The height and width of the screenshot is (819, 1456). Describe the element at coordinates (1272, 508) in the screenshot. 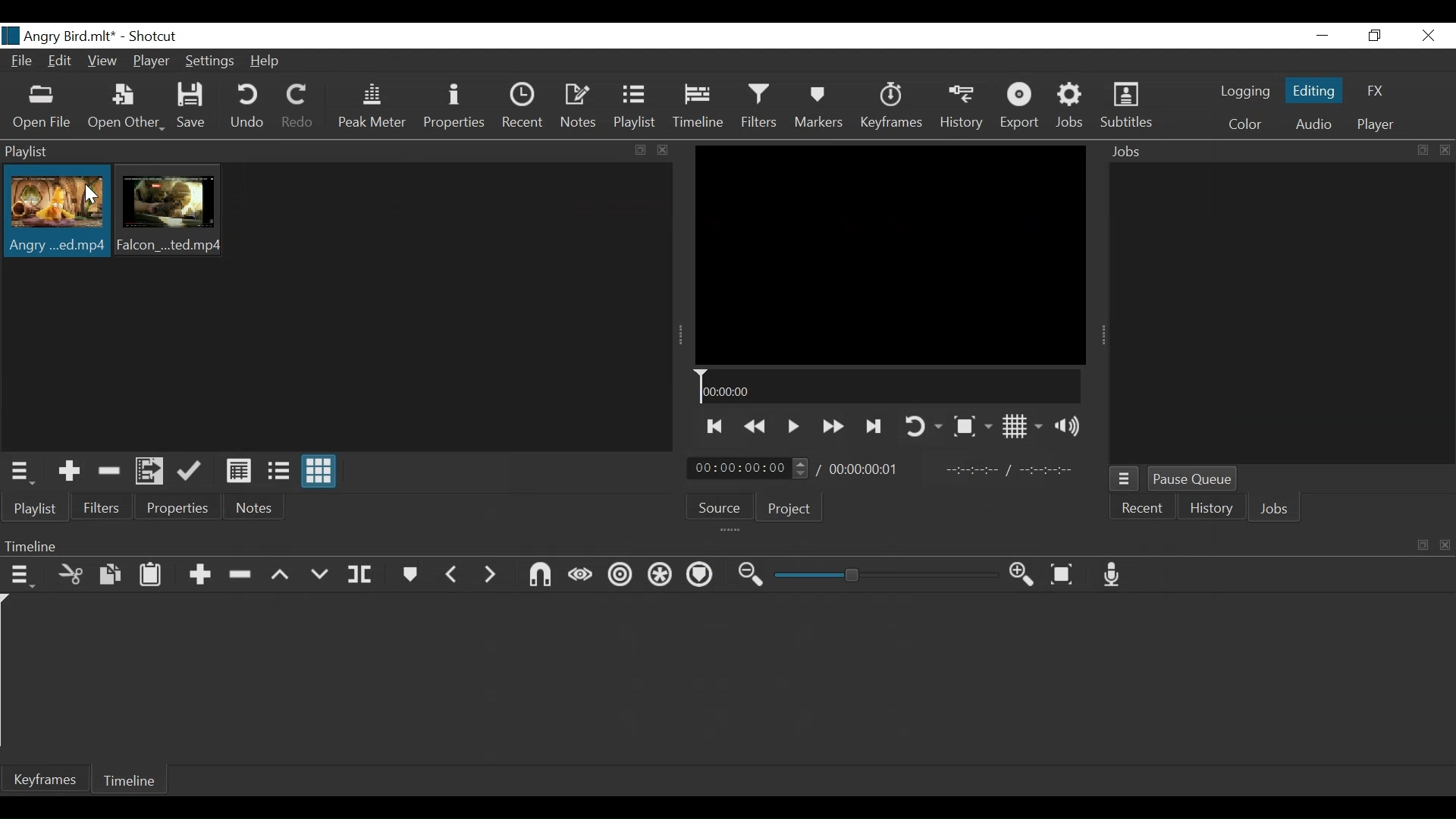

I see `Jobs` at that location.